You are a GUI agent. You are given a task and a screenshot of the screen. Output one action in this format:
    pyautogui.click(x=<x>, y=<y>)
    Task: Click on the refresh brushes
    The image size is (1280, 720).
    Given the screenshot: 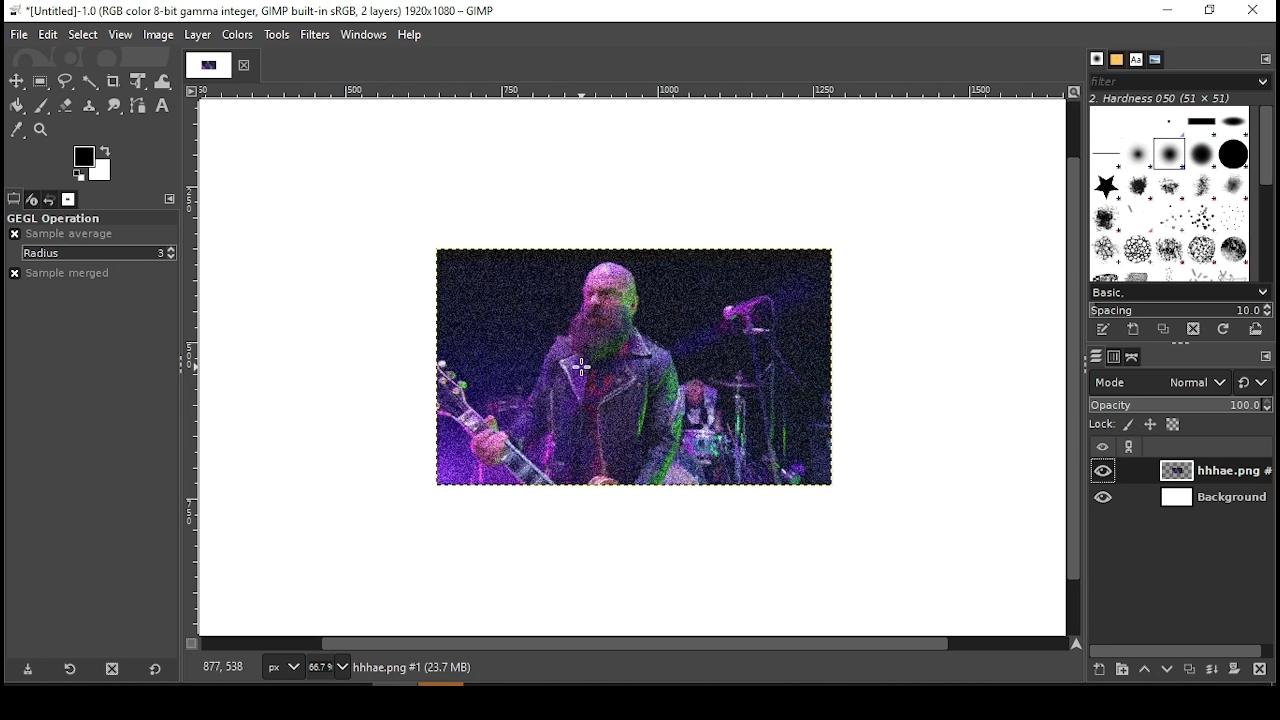 What is the action you would take?
    pyautogui.click(x=1228, y=332)
    